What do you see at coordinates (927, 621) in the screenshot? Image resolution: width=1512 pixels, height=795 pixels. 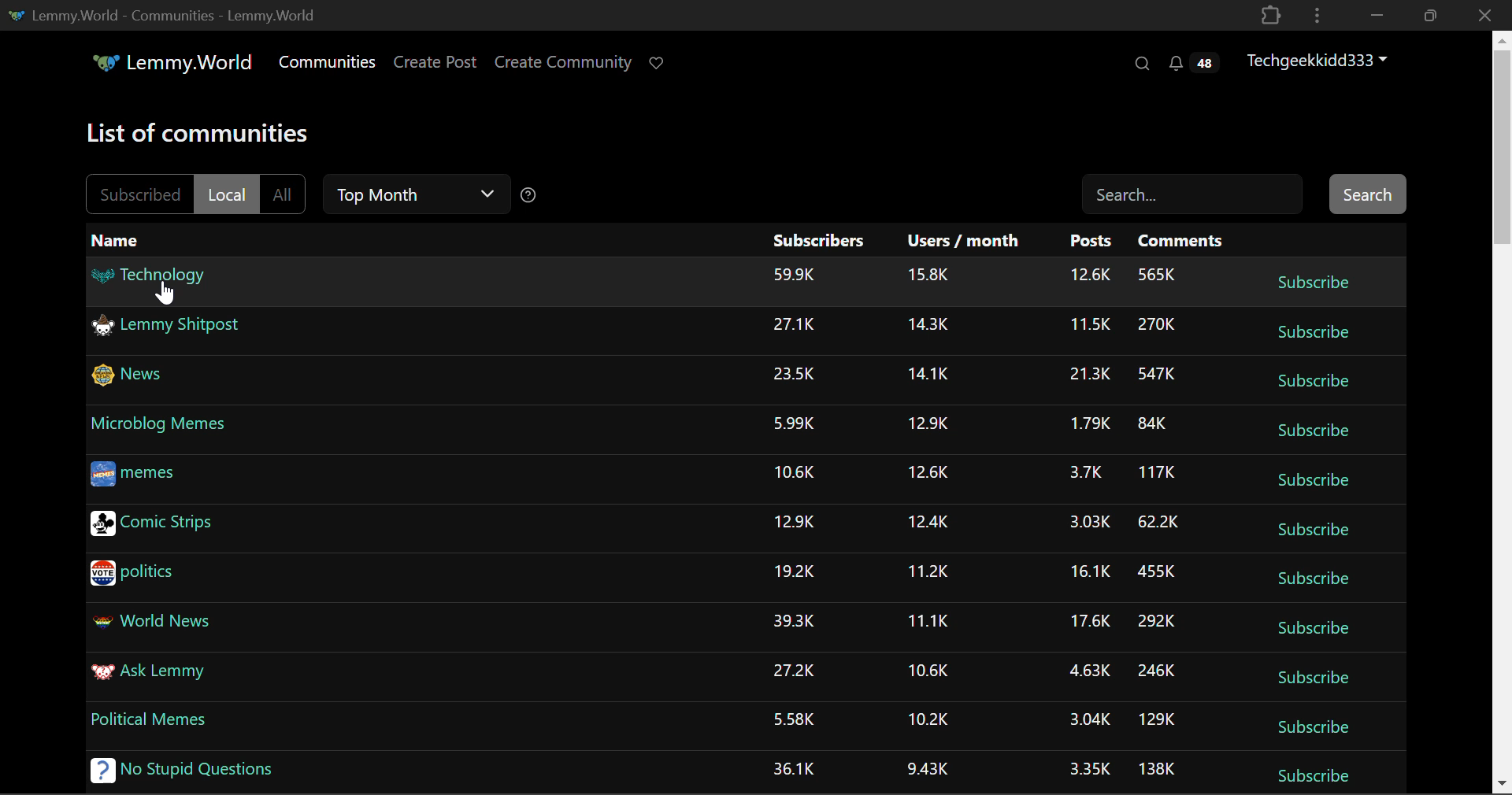 I see `Amount ` at bounding box center [927, 621].